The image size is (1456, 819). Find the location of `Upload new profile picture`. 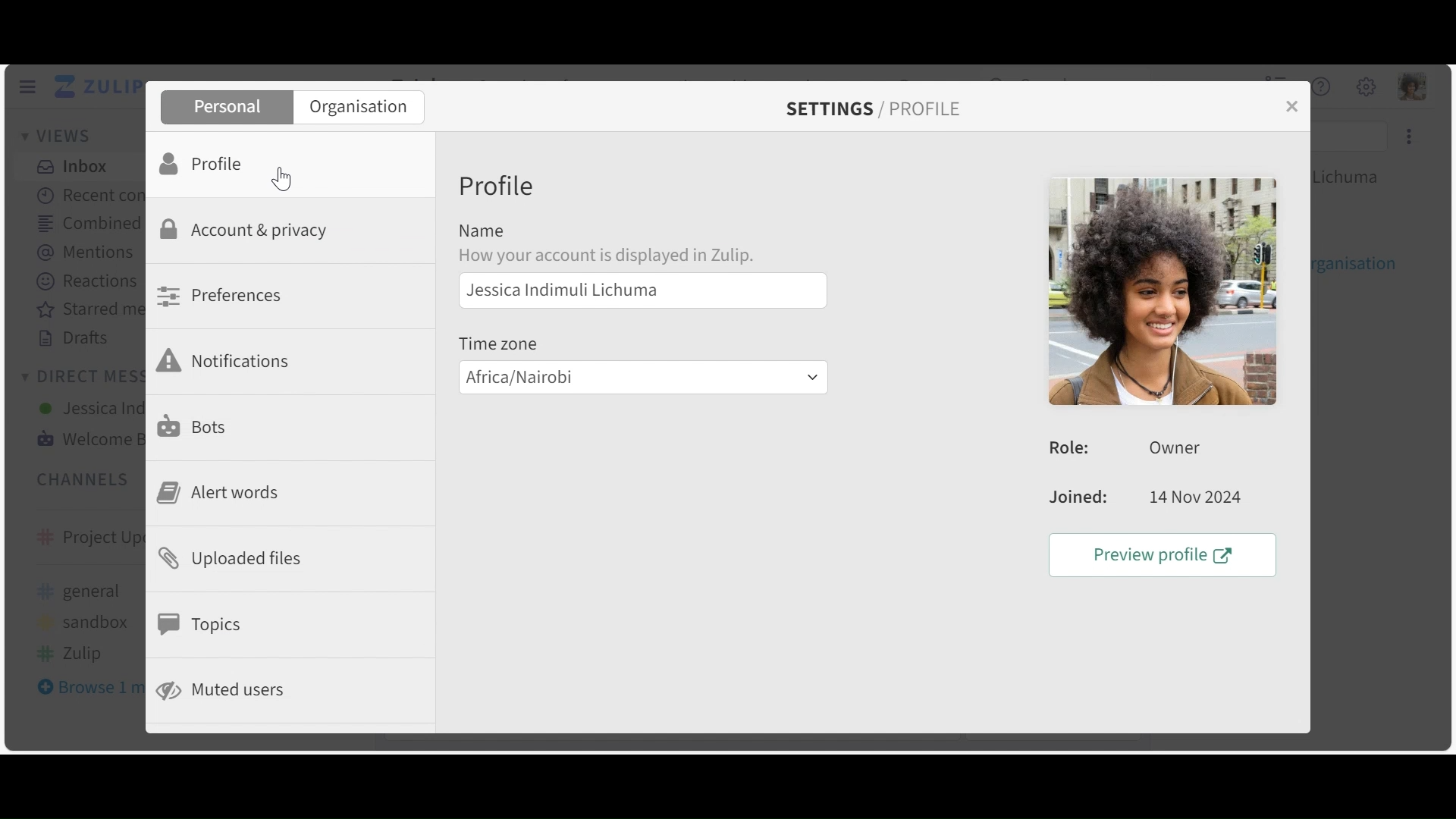

Upload new profile picture is located at coordinates (1161, 292).